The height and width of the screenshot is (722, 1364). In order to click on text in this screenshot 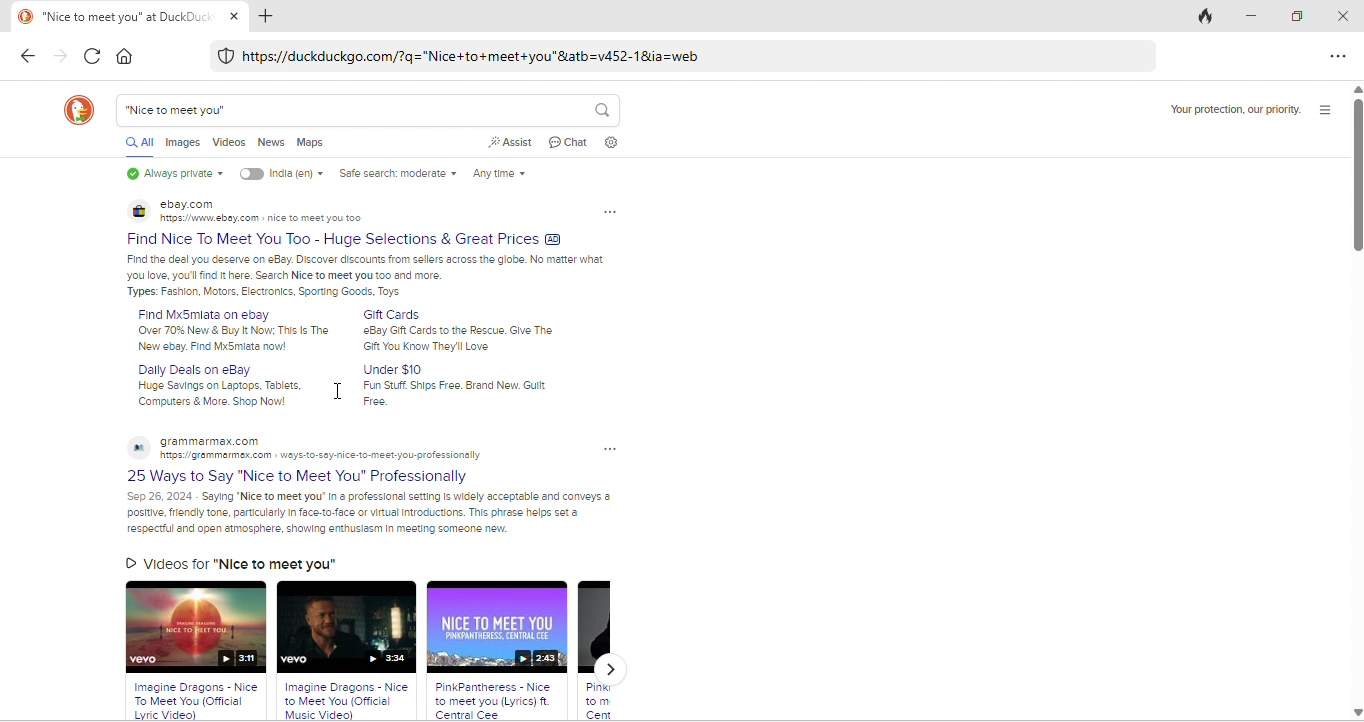, I will do `click(345, 240)`.